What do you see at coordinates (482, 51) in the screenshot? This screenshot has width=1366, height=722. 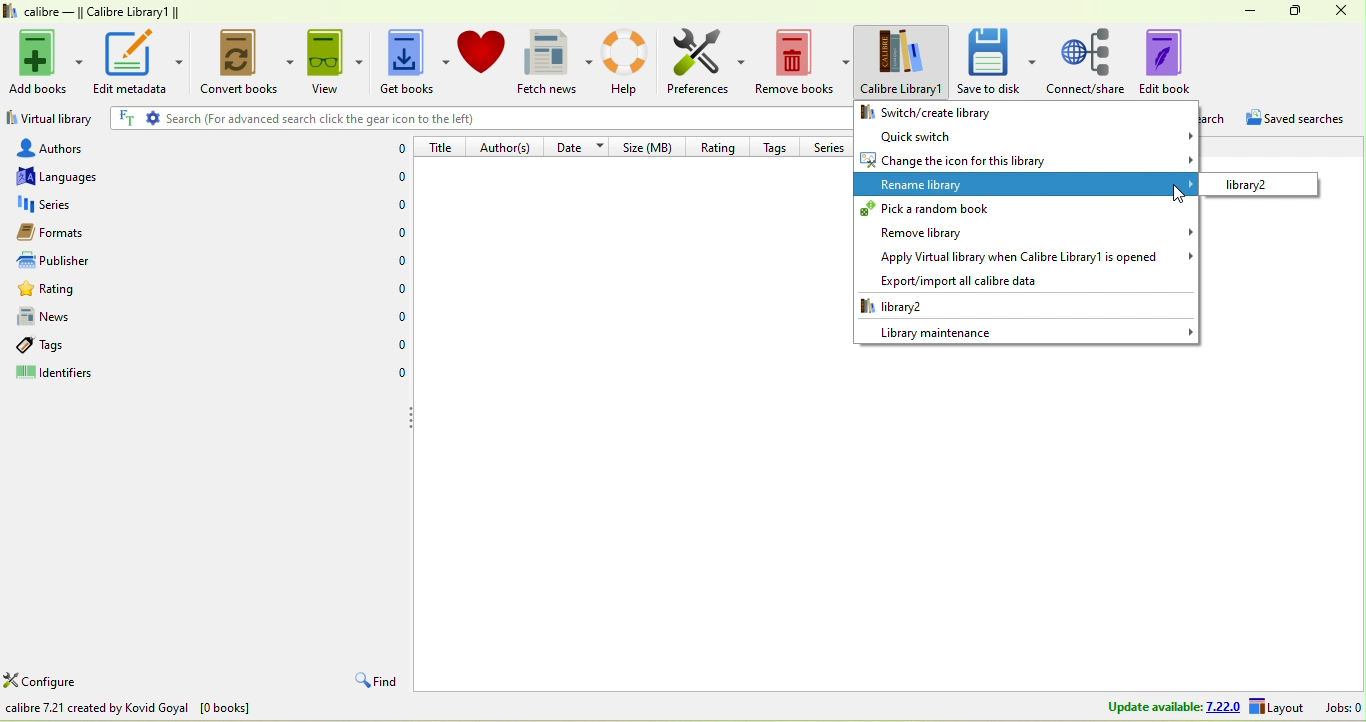 I see `donate` at bounding box center [482, 51].